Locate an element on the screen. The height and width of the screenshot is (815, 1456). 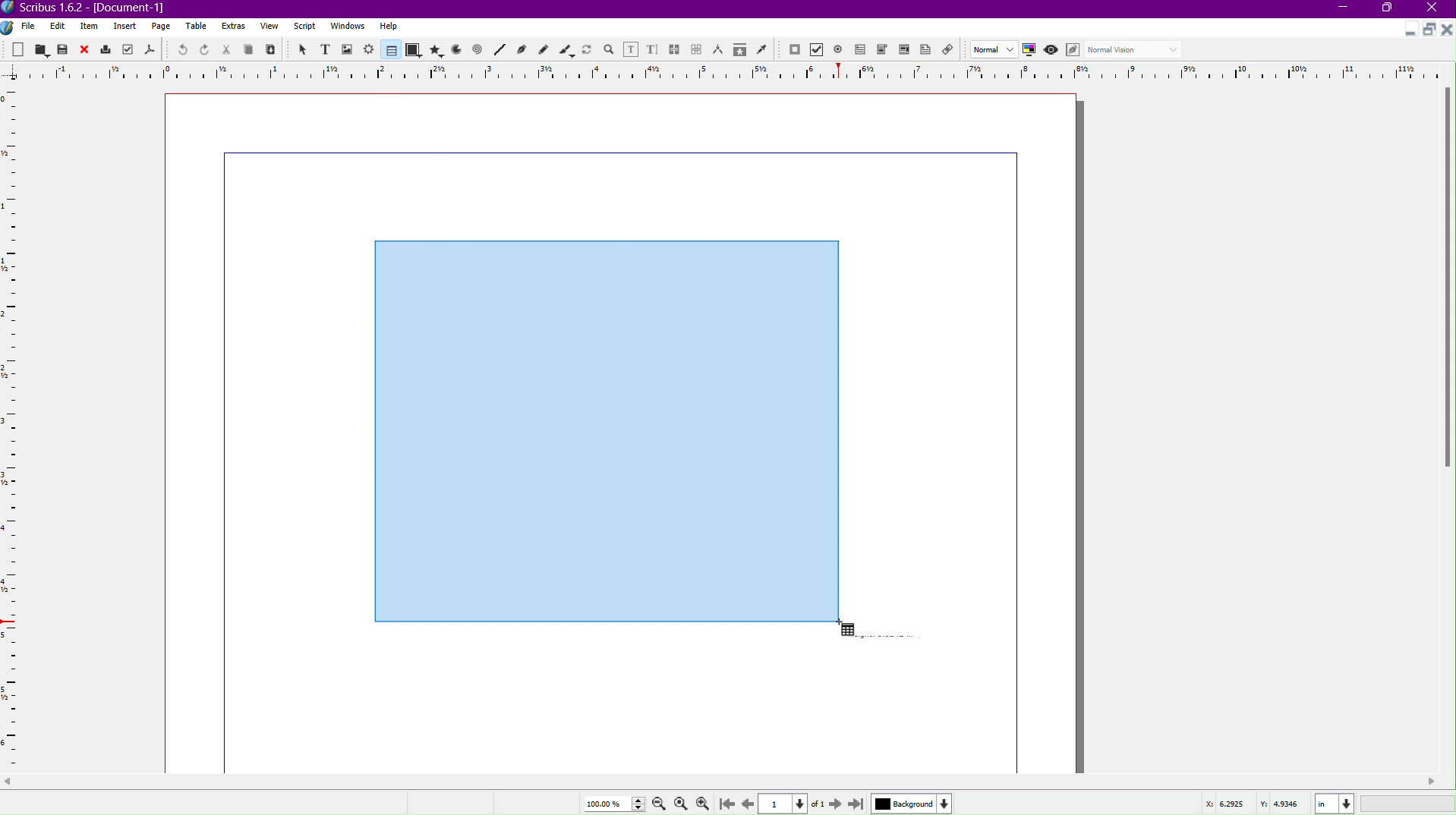
Edit is located at coordinates (57, 26).